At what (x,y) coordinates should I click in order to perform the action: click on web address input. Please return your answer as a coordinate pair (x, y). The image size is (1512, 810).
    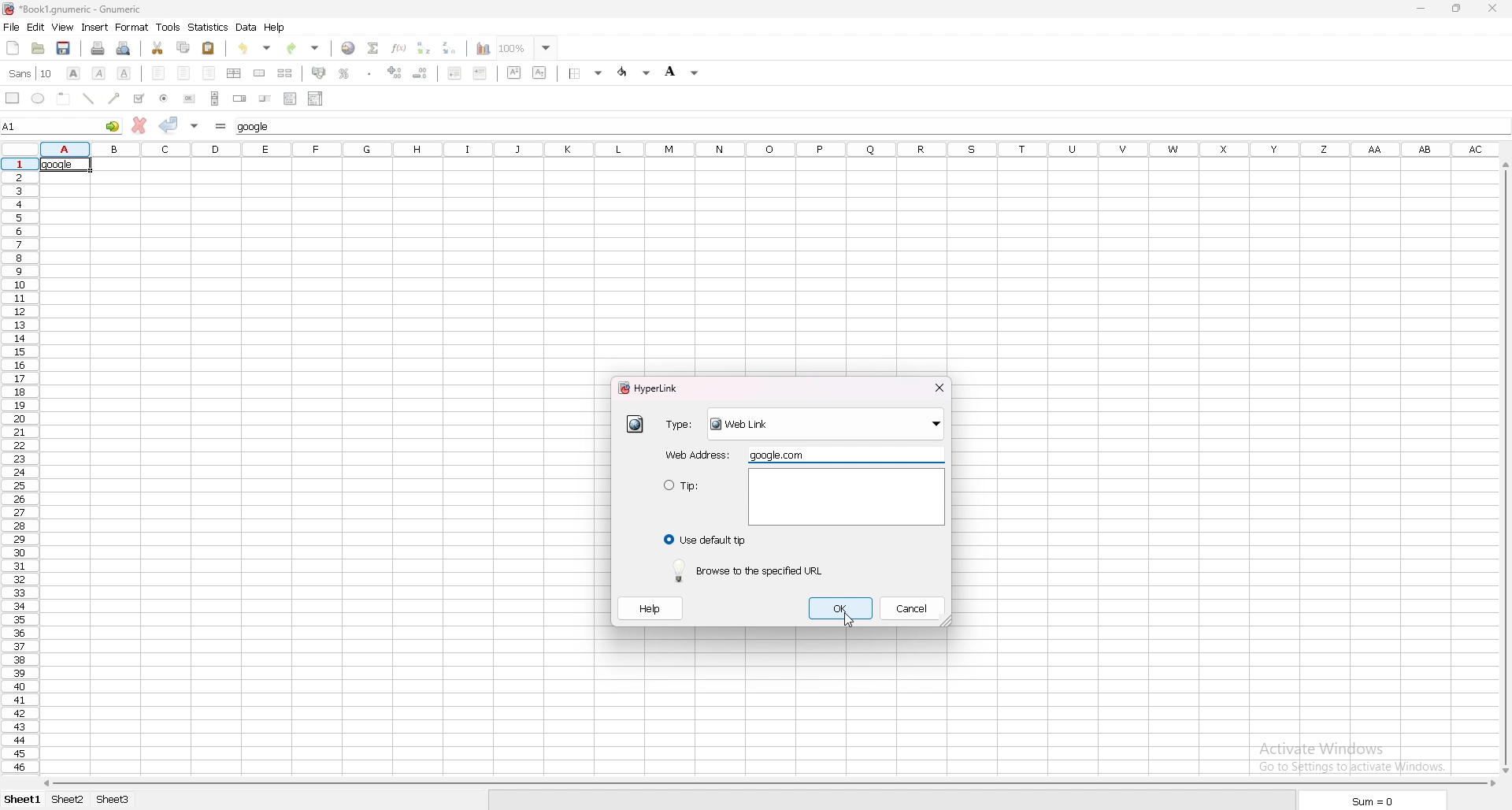
    Looking at the image, I should click on (781, 454).